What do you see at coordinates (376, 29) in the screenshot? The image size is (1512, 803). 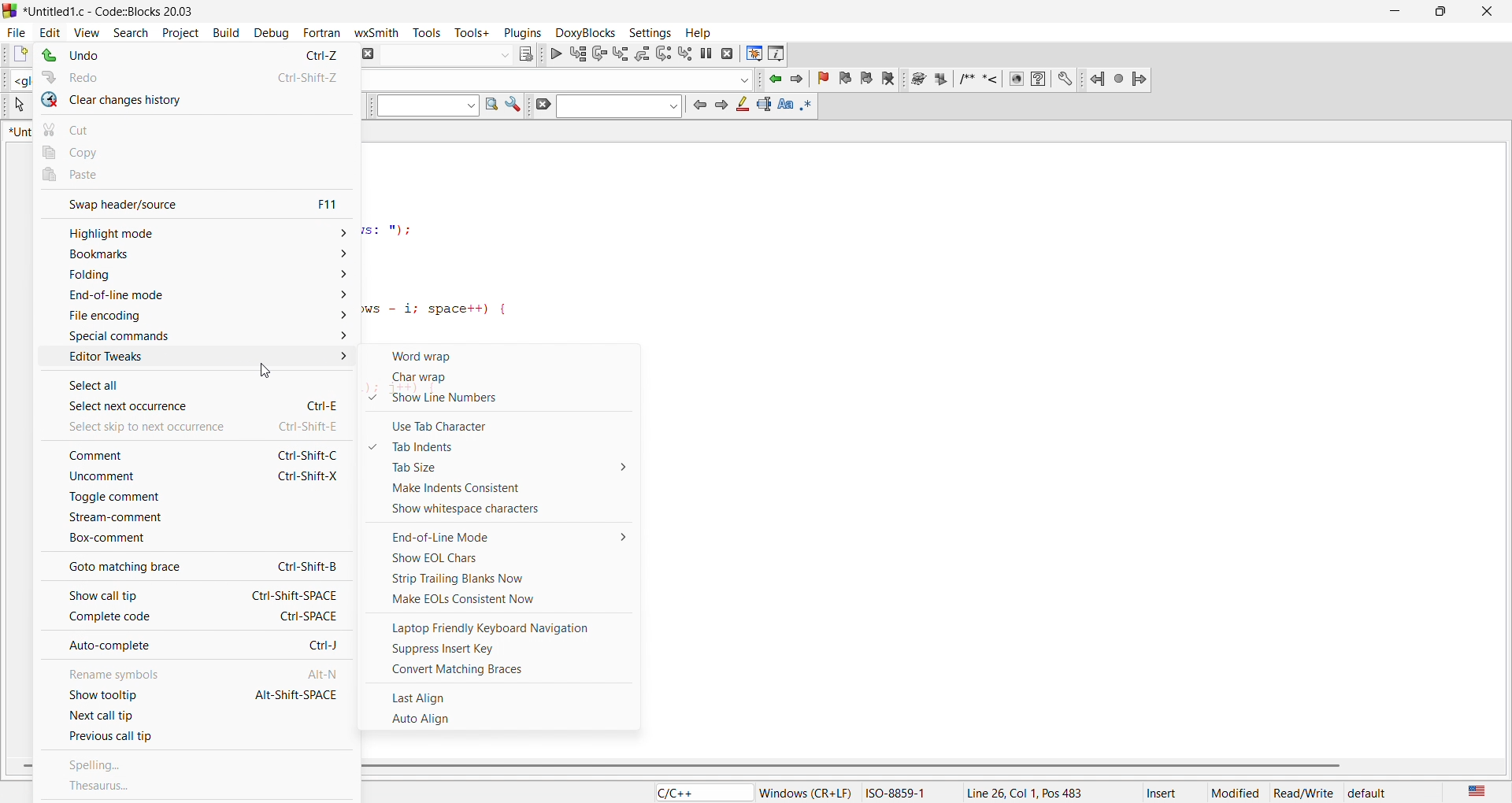 I see `wxsmith` at bounding box center [376, 29].